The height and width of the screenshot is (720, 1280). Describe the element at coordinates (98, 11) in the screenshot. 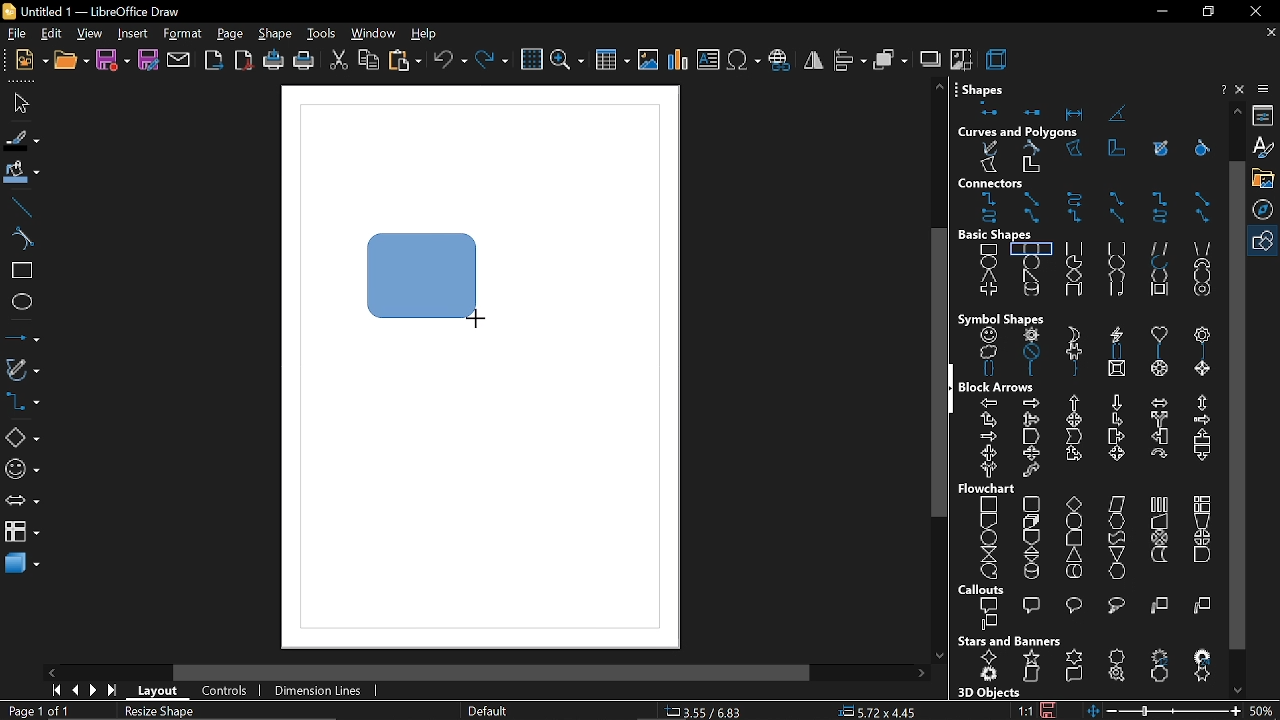

I see `current window` at that location.